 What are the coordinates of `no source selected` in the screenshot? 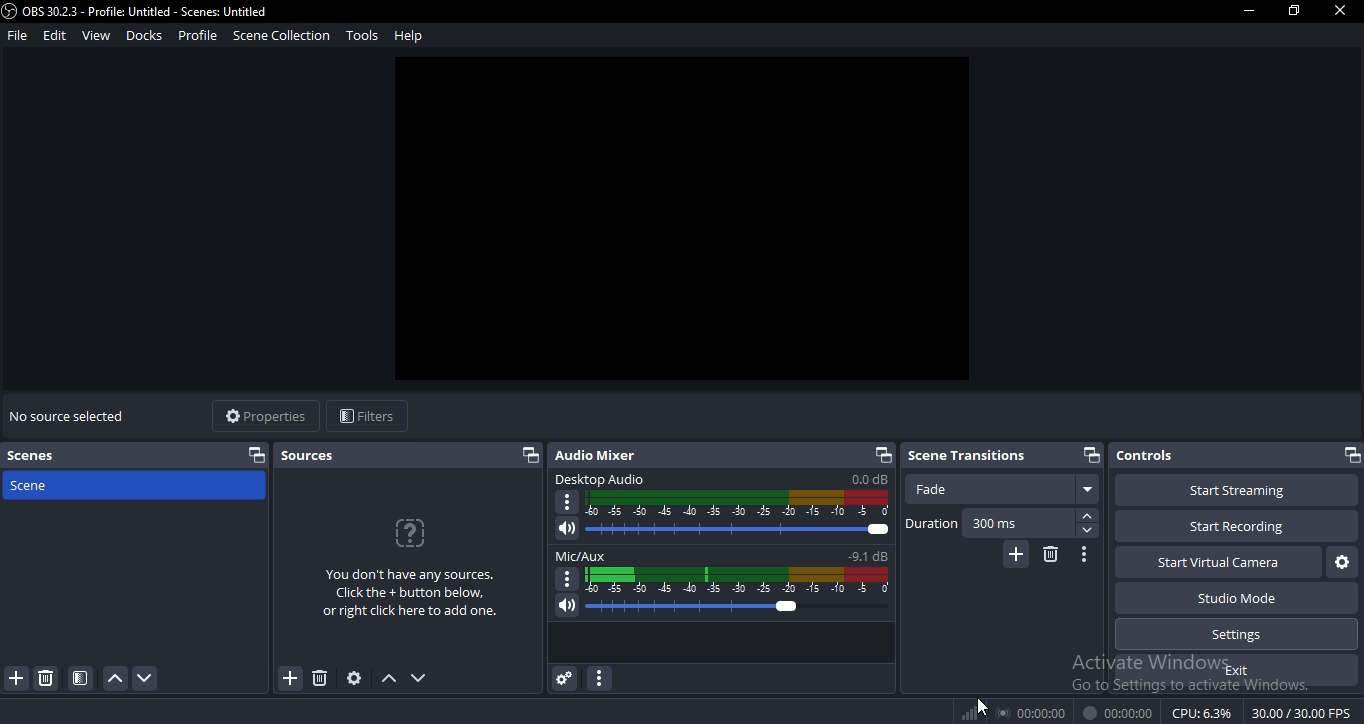 It's located at (71, 413).